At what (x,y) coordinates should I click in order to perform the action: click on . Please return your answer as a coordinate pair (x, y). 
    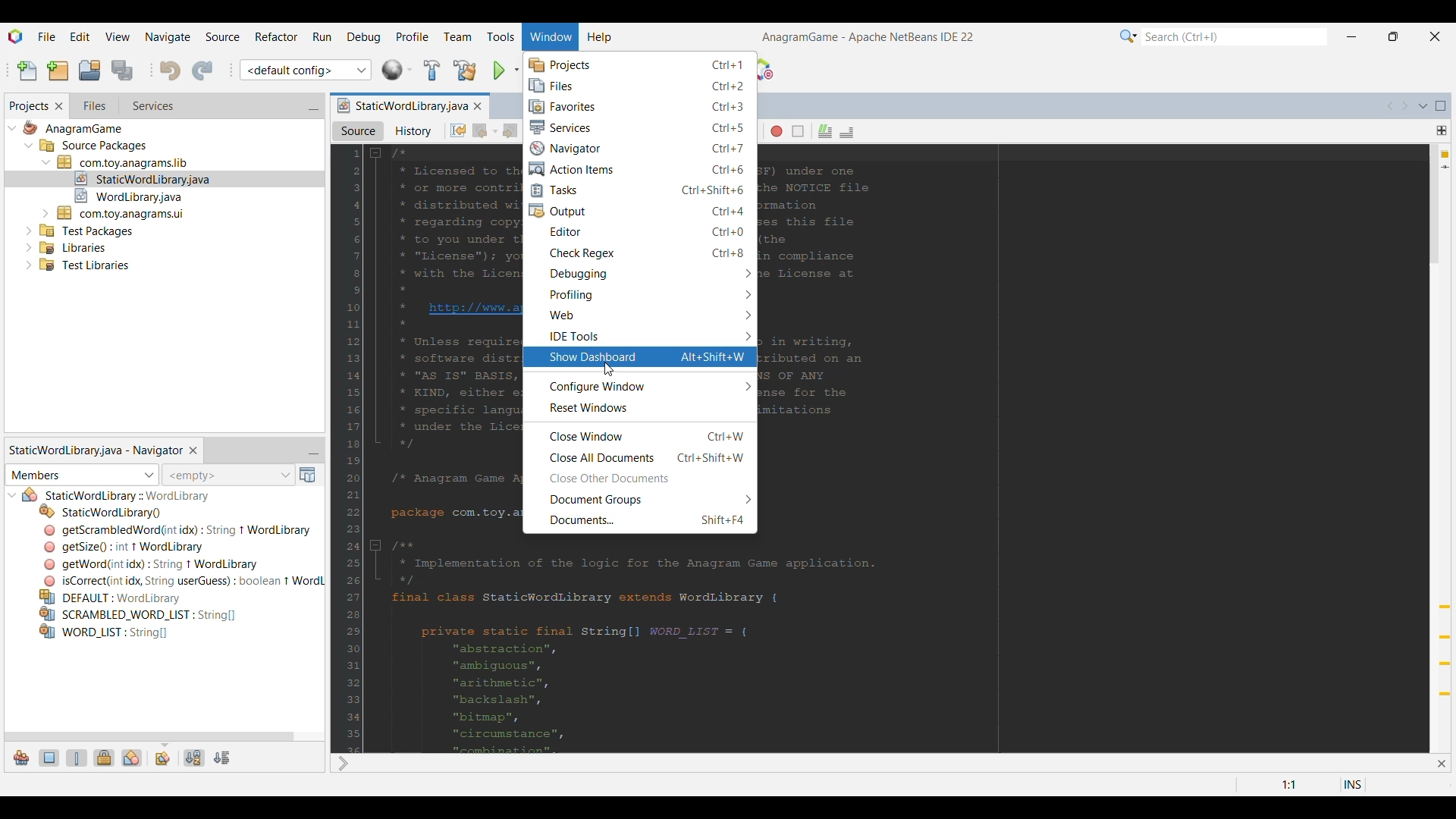
    Looking at the image, I should click on (117, 597).